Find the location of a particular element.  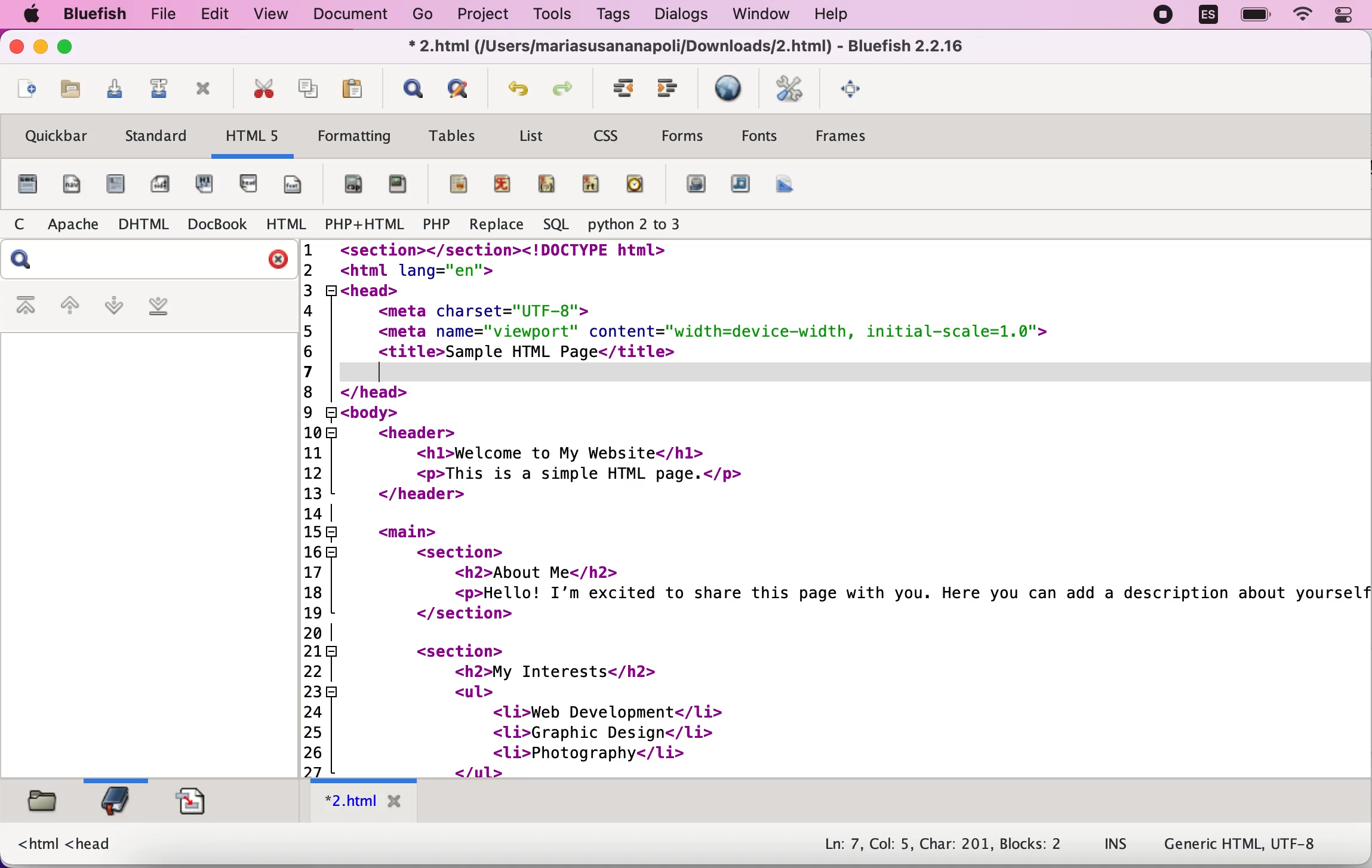

aside is located at coordinates (161, 180).